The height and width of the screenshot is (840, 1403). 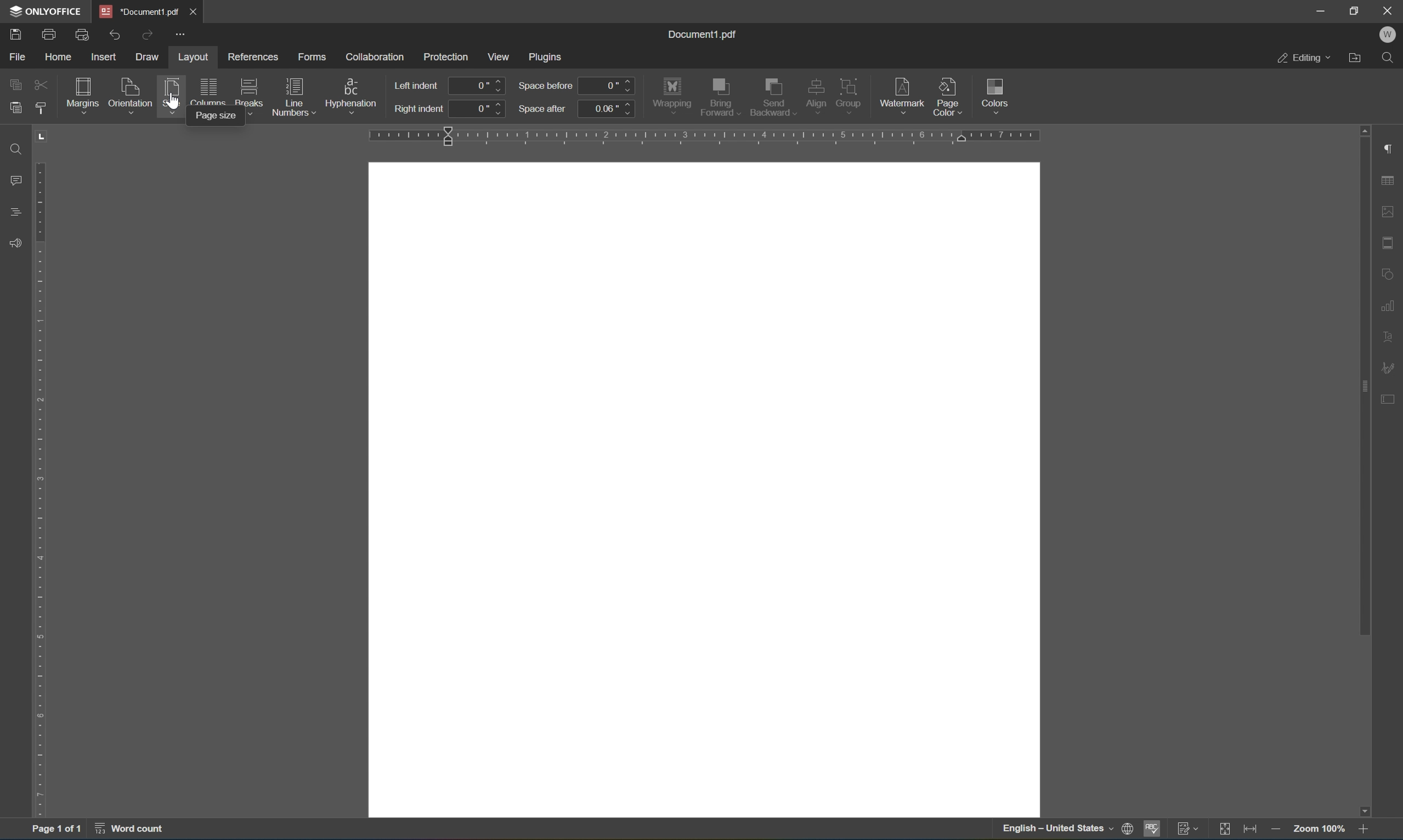 What do you see at coordinates (170, 93) in the screenshot?
I see `size with active cursor` at bounding box center [170, 93].